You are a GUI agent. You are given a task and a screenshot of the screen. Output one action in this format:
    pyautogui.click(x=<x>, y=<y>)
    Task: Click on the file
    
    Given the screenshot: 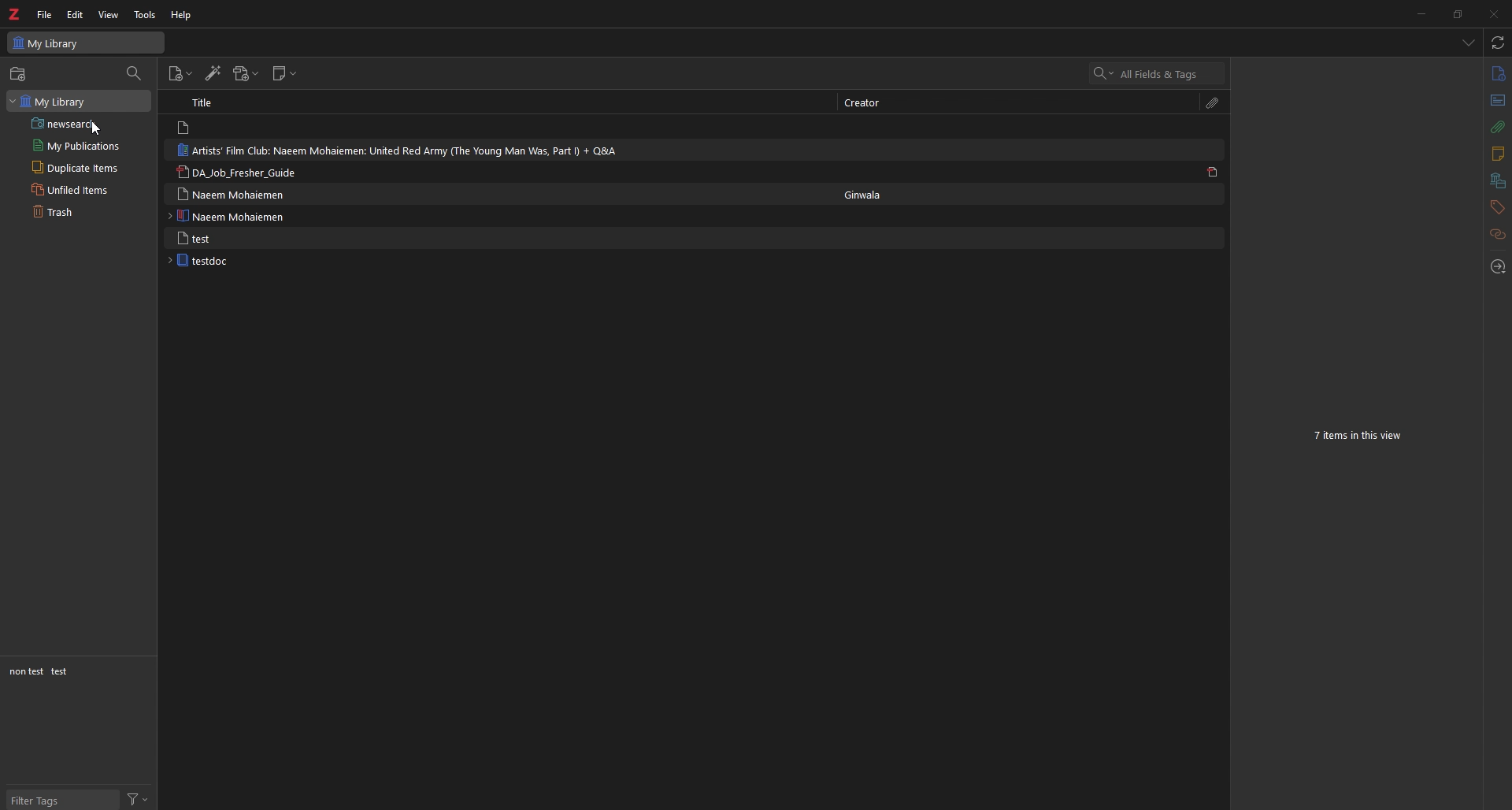 What is the action you would take?
    pyautogui.click(x=44, y=15)
    